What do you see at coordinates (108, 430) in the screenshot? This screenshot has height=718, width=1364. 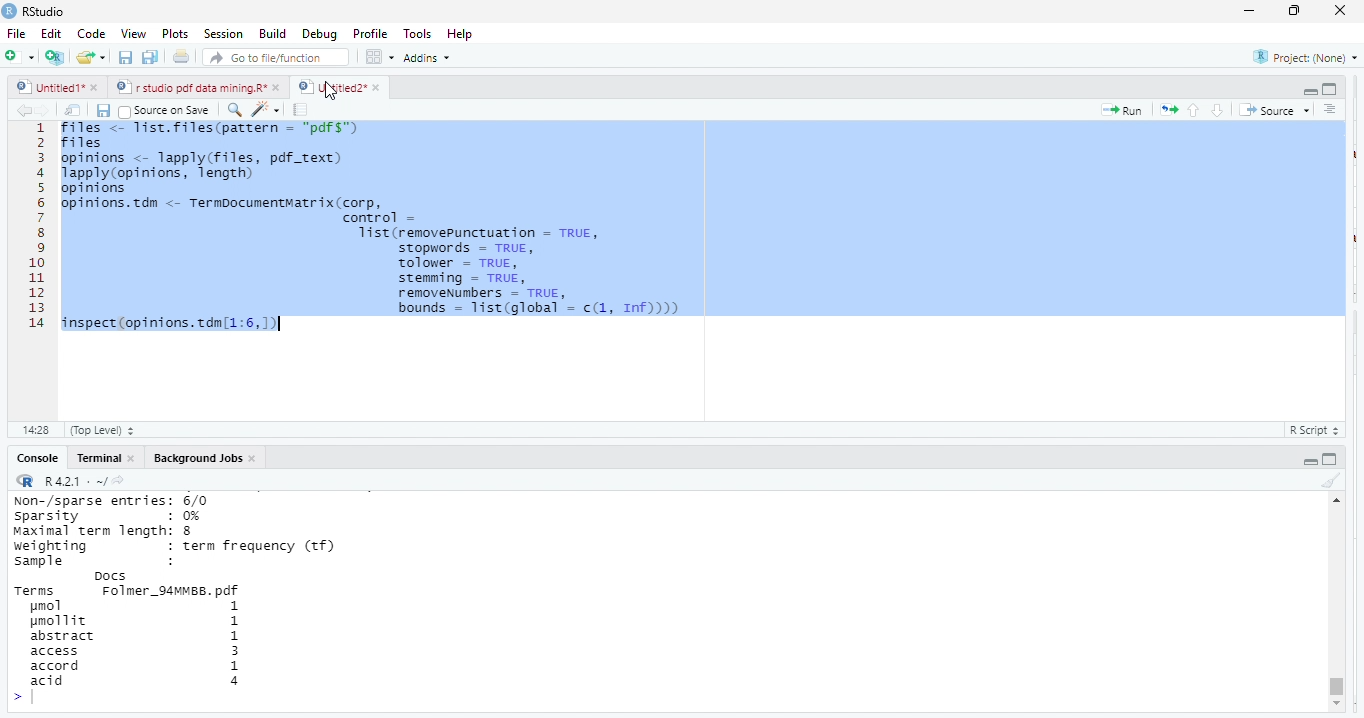 I see `top level` at bounding box center [108, 430].